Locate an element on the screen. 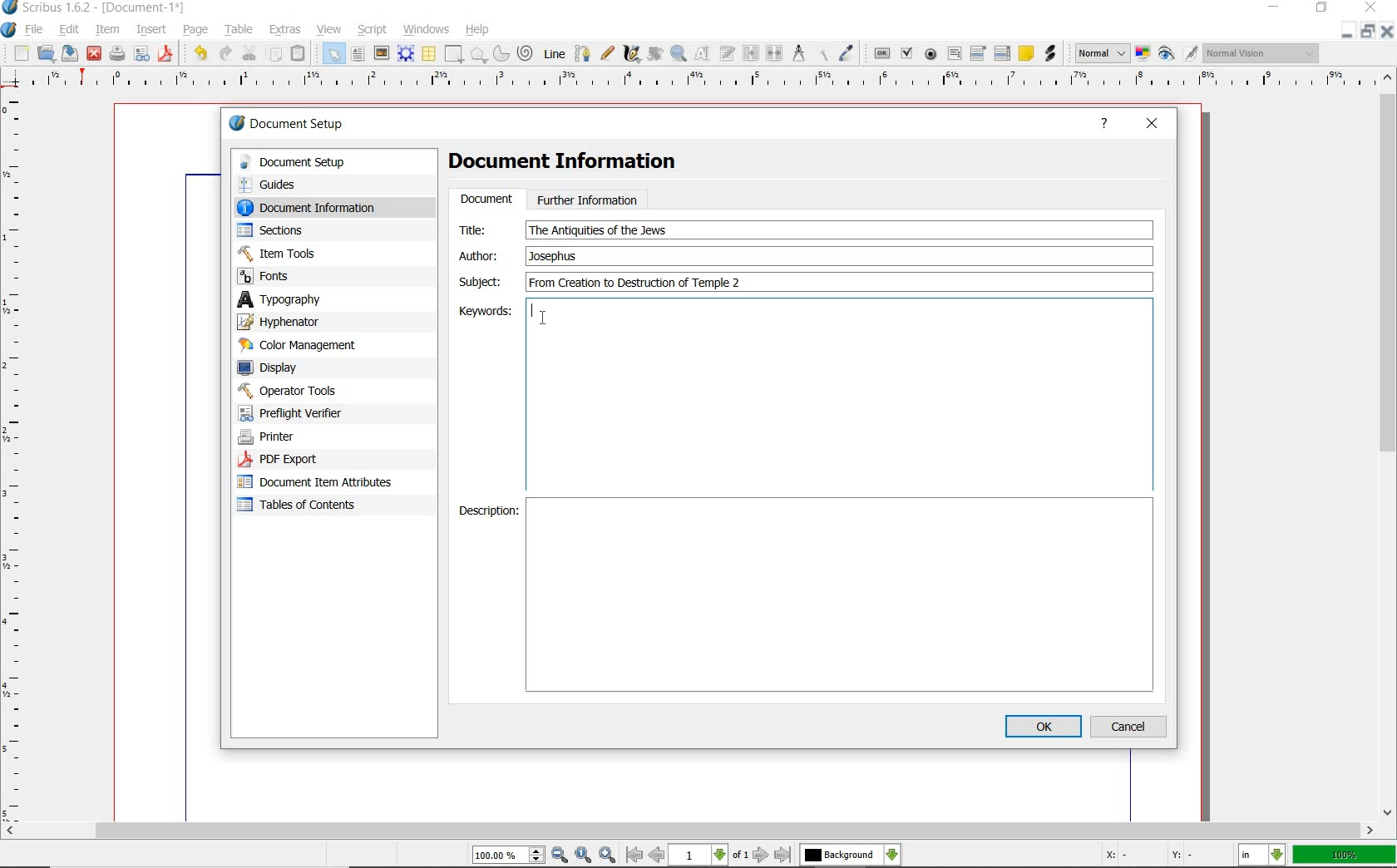 The width and height of the screenshot is (1397, 868). Keywords is located at coordinates (481, 310).